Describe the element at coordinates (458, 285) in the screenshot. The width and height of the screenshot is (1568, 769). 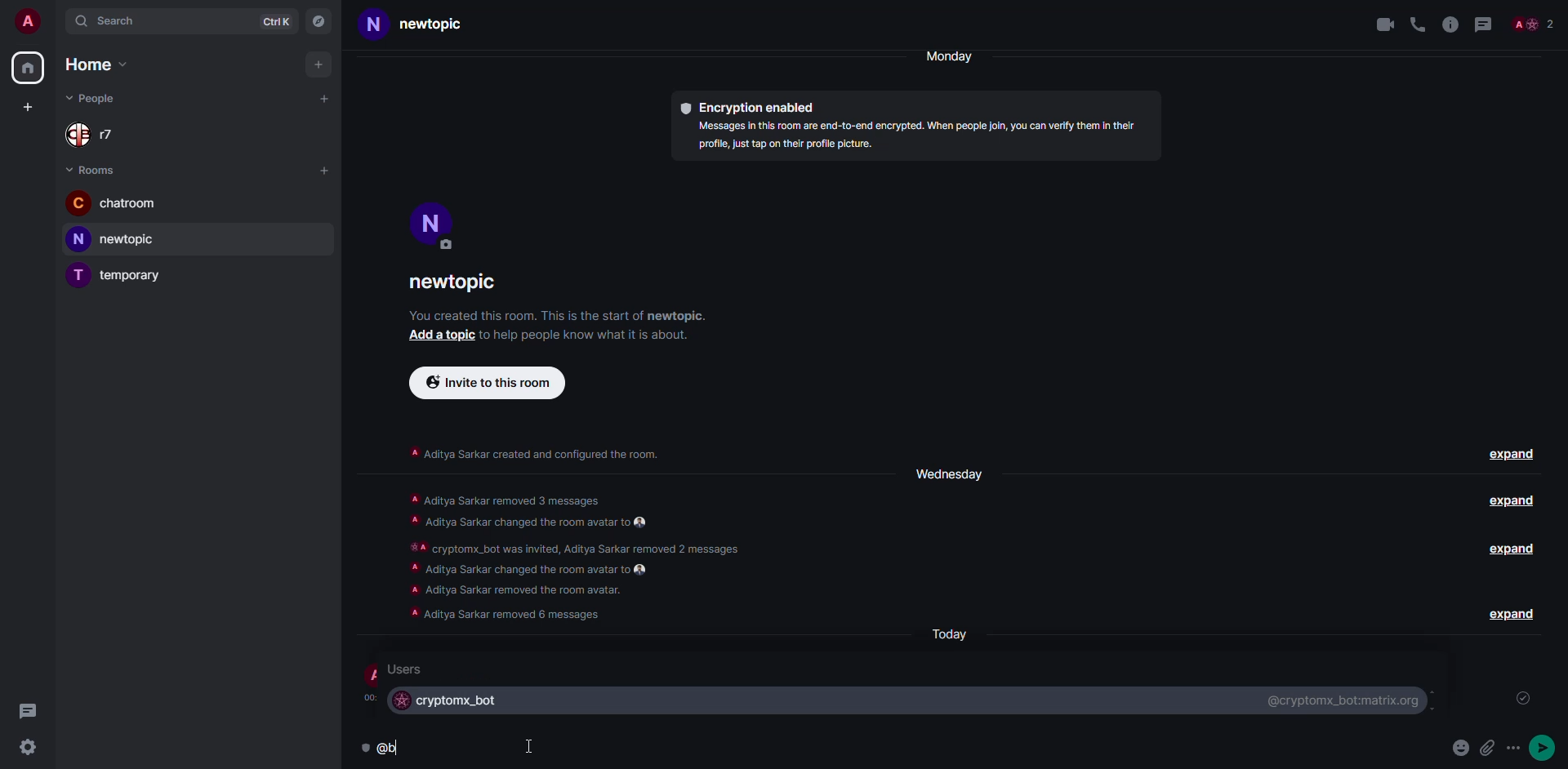
I see `room` at that location.